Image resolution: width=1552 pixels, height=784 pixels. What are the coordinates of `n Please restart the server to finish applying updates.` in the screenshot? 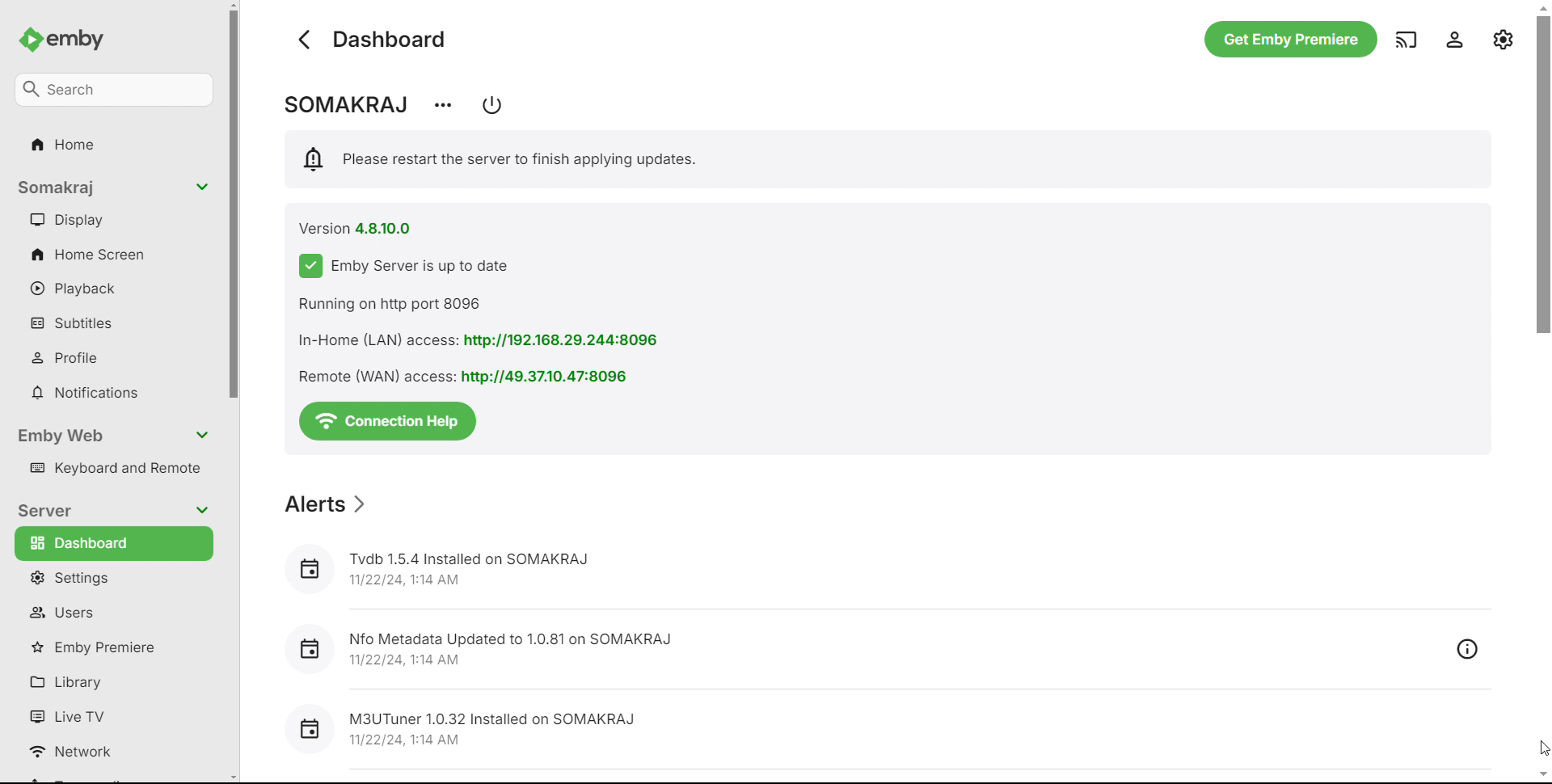 It's located at (503, 159).